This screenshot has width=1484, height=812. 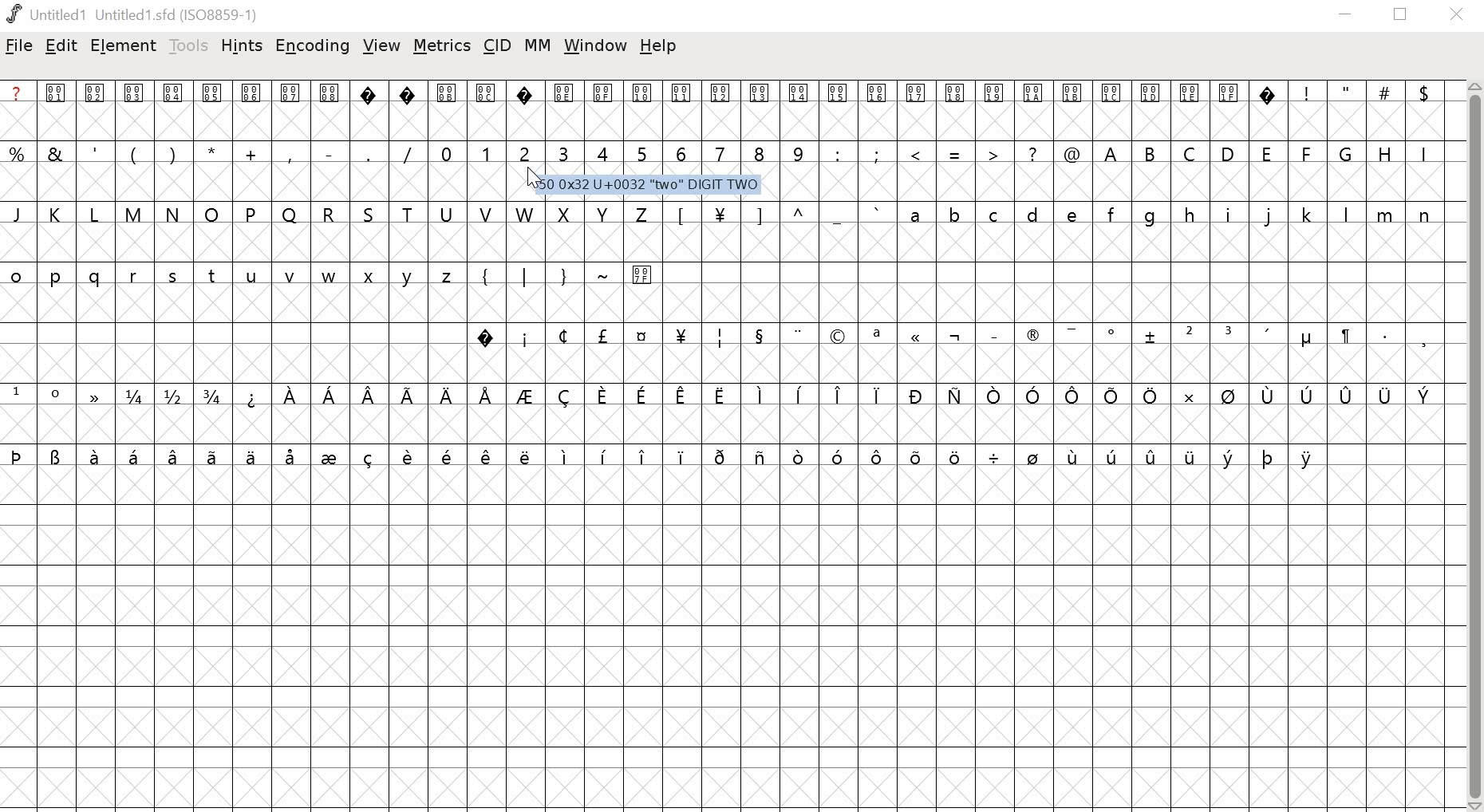 What do you see at coordinates (1346, 16) in the screenshot?
I see `minimize` at bounding box center [1346, 16].